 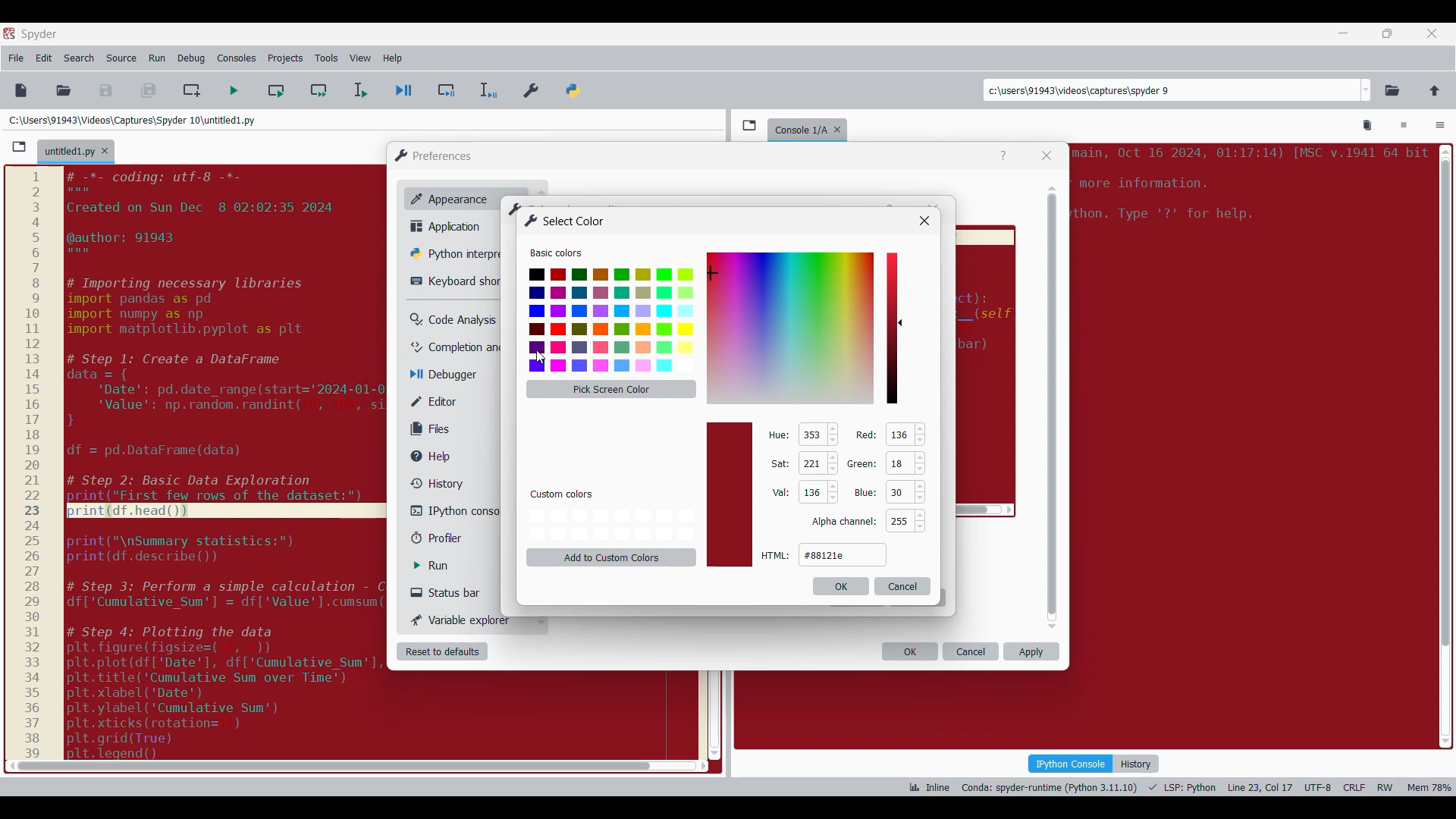 I want to click on code, so click(x=218, y=460).